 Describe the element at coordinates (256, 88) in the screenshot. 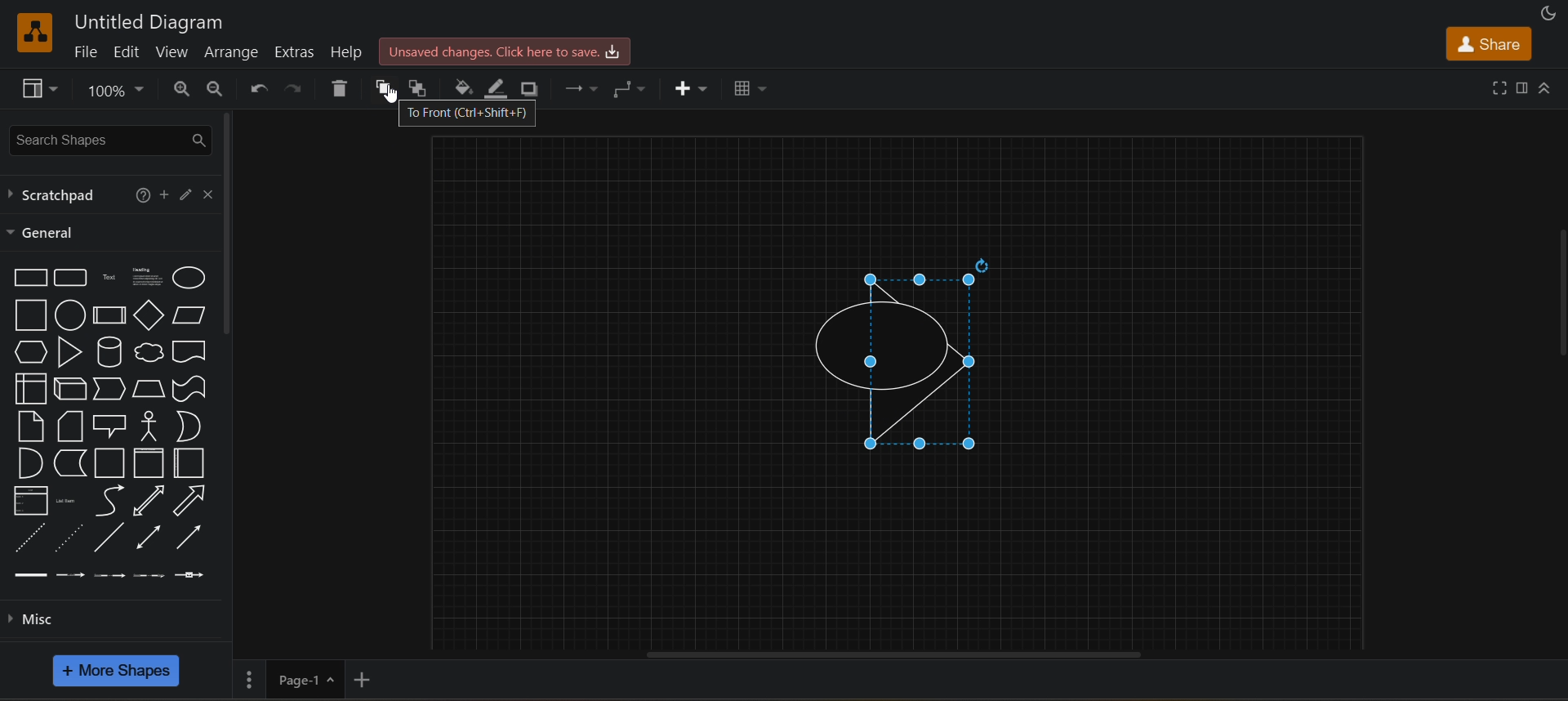

I see `undo` at that location.